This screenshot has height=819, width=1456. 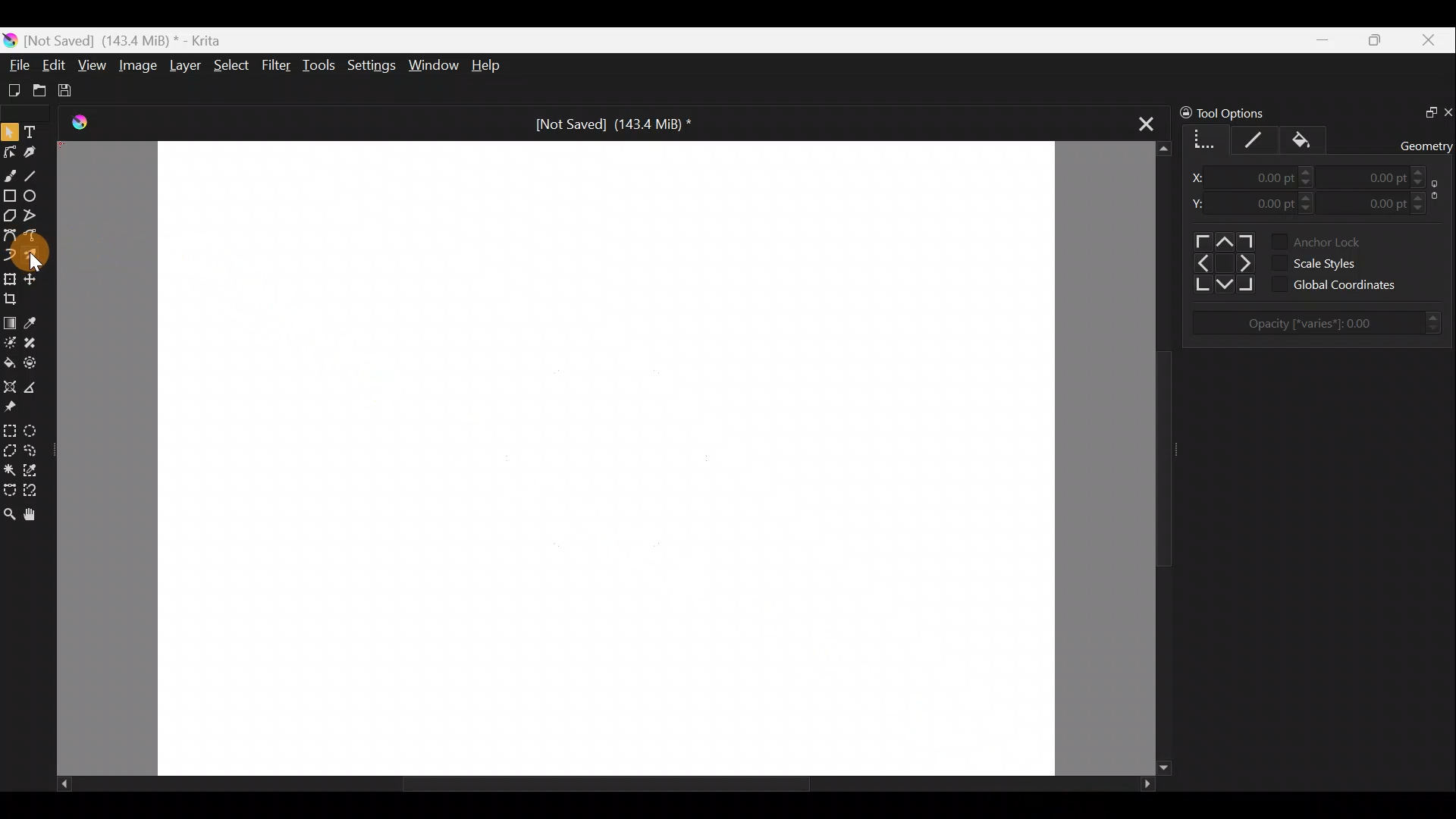 I want to click on Krita logo, so click(x=10, y=42).